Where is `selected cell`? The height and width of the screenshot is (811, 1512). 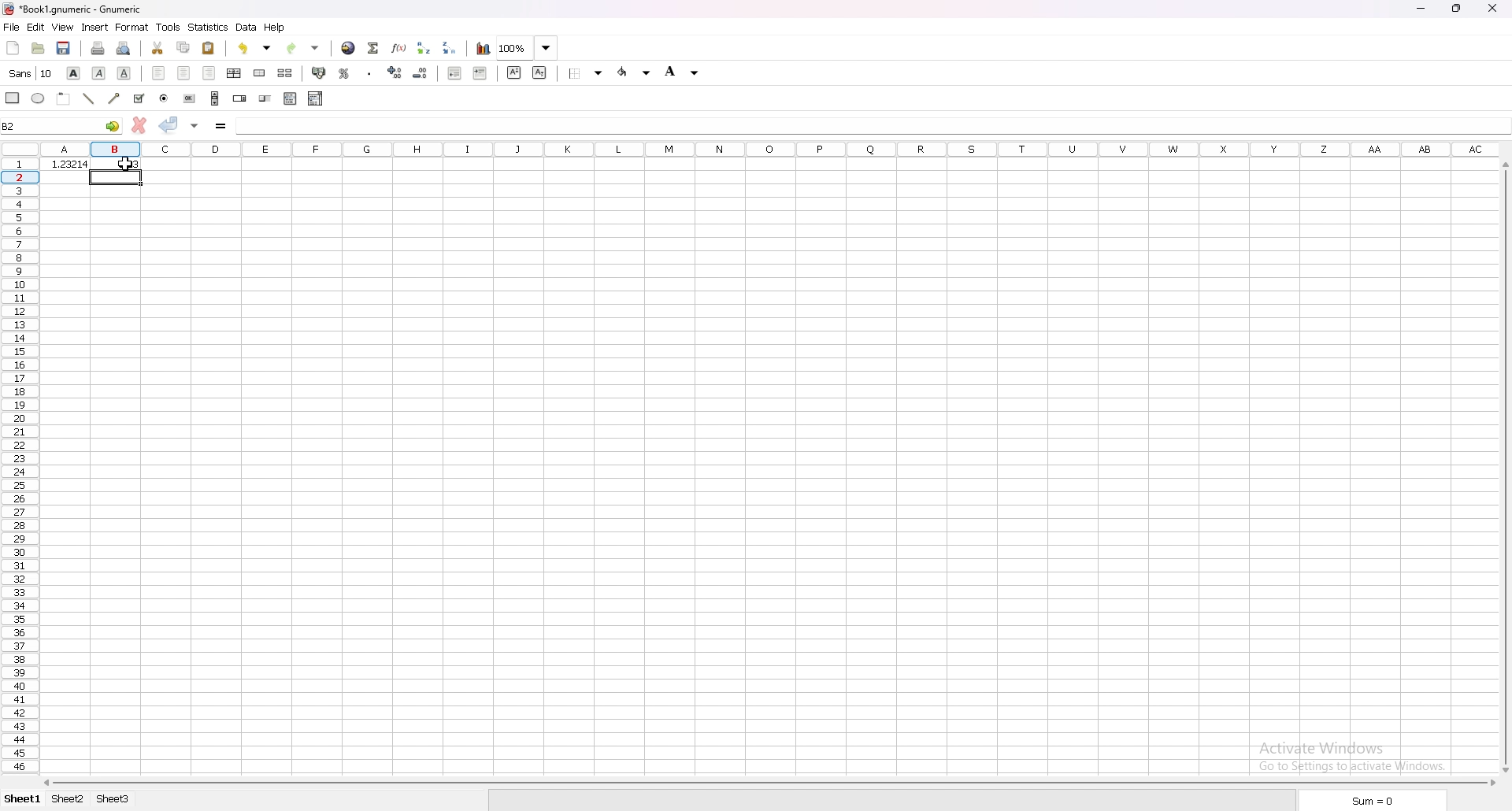
selected cell is located at coordinates (116, 177).